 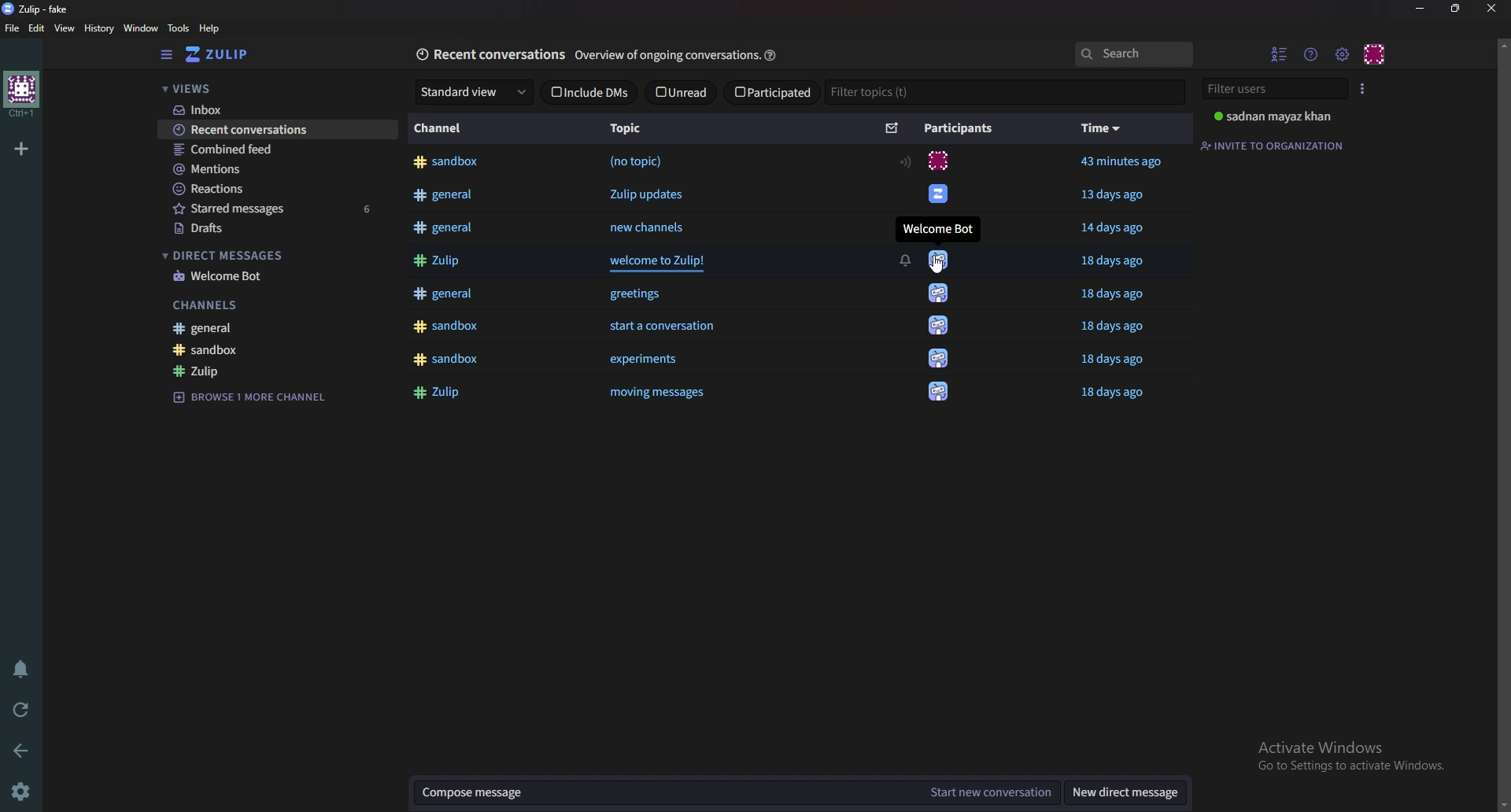 I want to click on cursor, so click(x=942, y=267).